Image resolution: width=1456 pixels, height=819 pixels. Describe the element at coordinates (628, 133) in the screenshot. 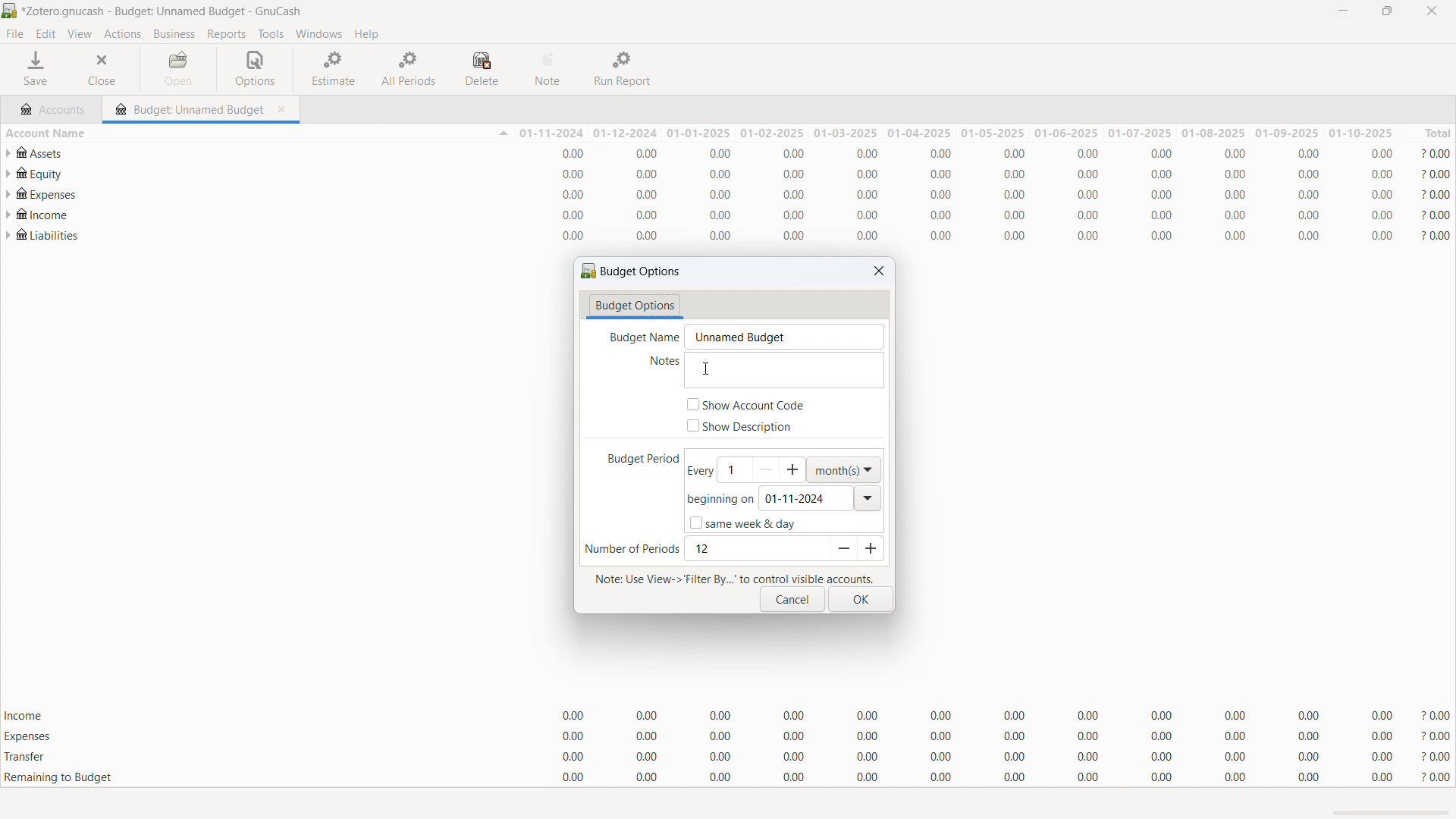

I see `01-12-2024` at that location.